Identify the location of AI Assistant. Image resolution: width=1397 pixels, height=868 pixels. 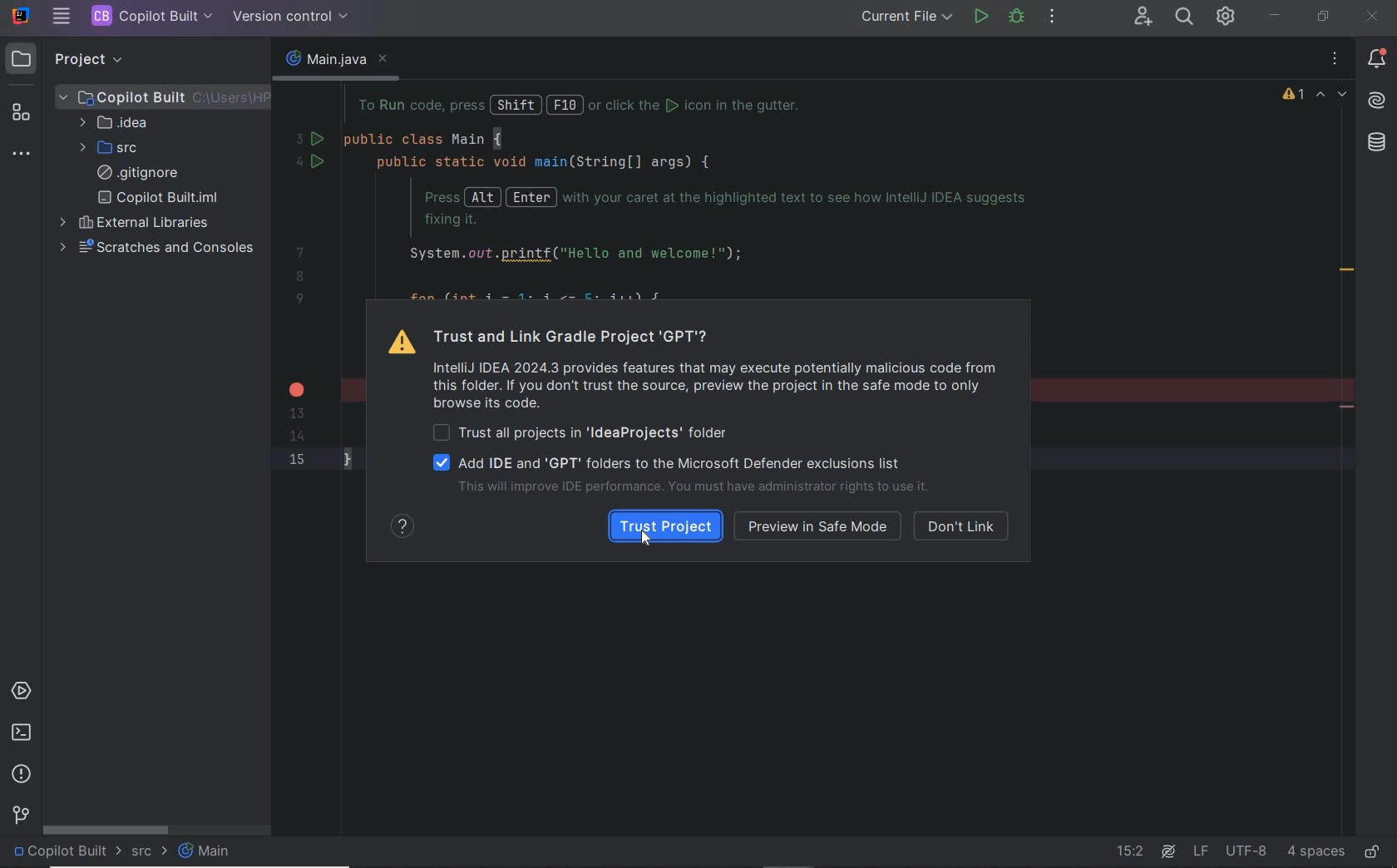
(1375, 101).